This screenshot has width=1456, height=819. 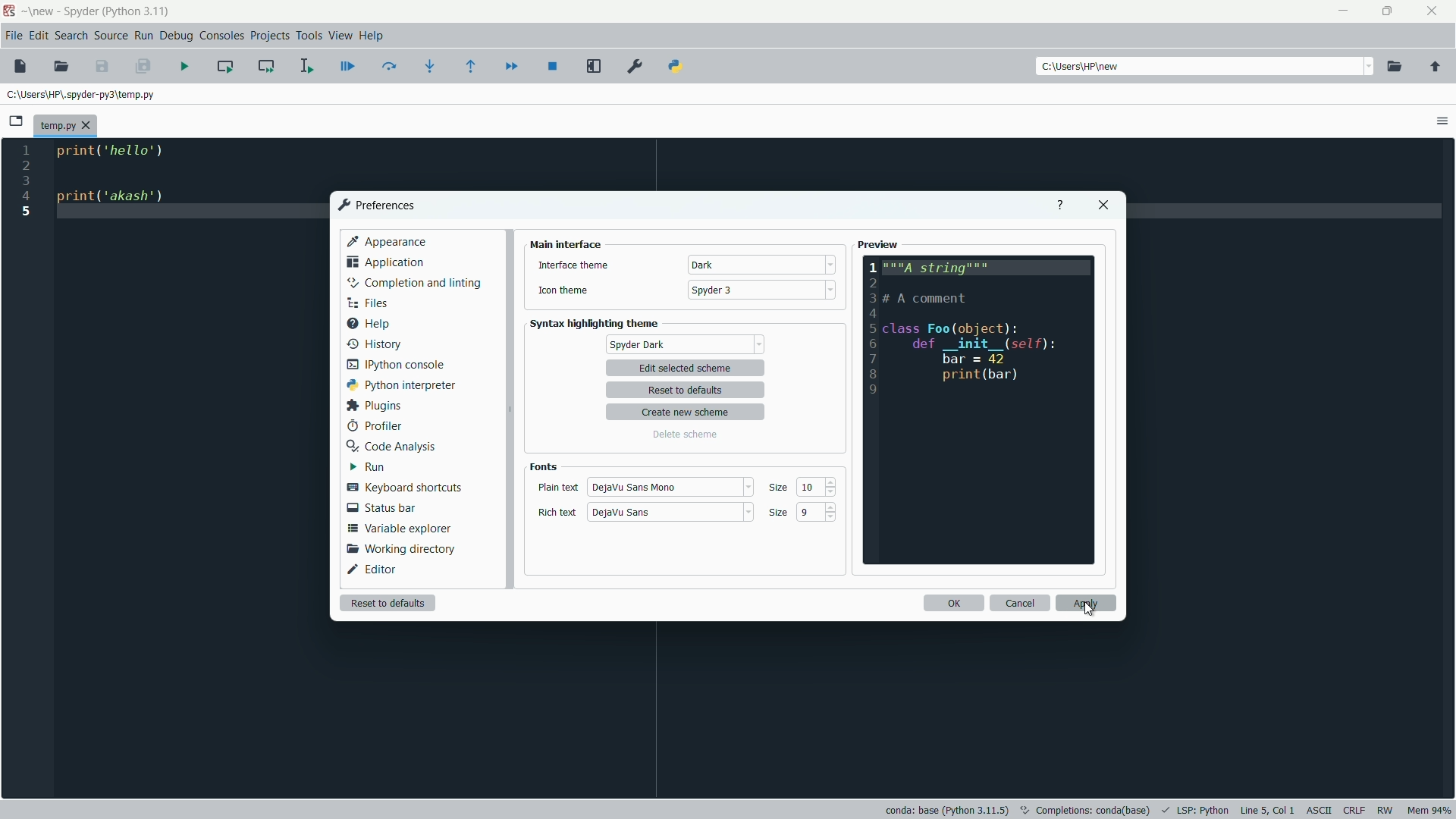 I want to click on file eol status, so click(x=1353, y=811).